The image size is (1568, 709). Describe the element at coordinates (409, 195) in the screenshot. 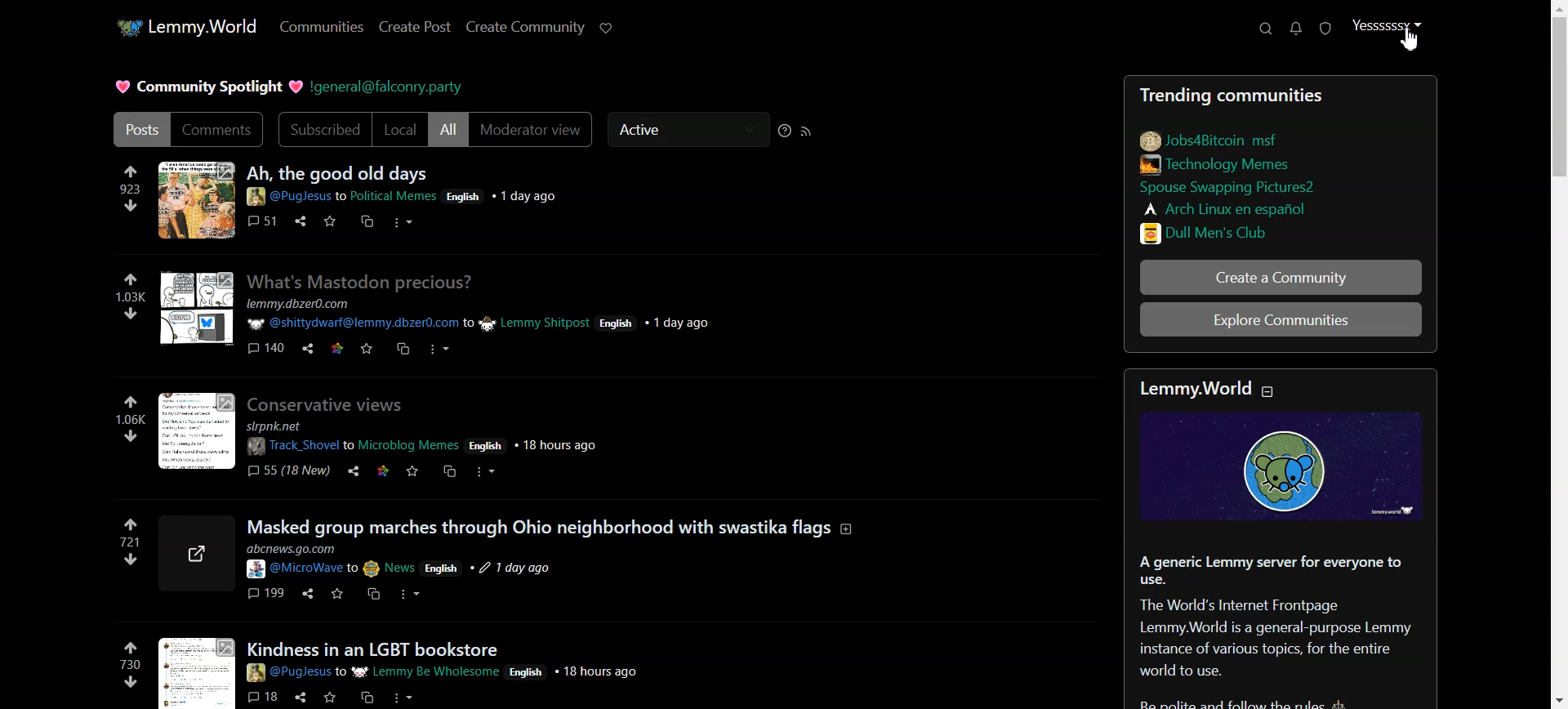

I see `post details` at that location.